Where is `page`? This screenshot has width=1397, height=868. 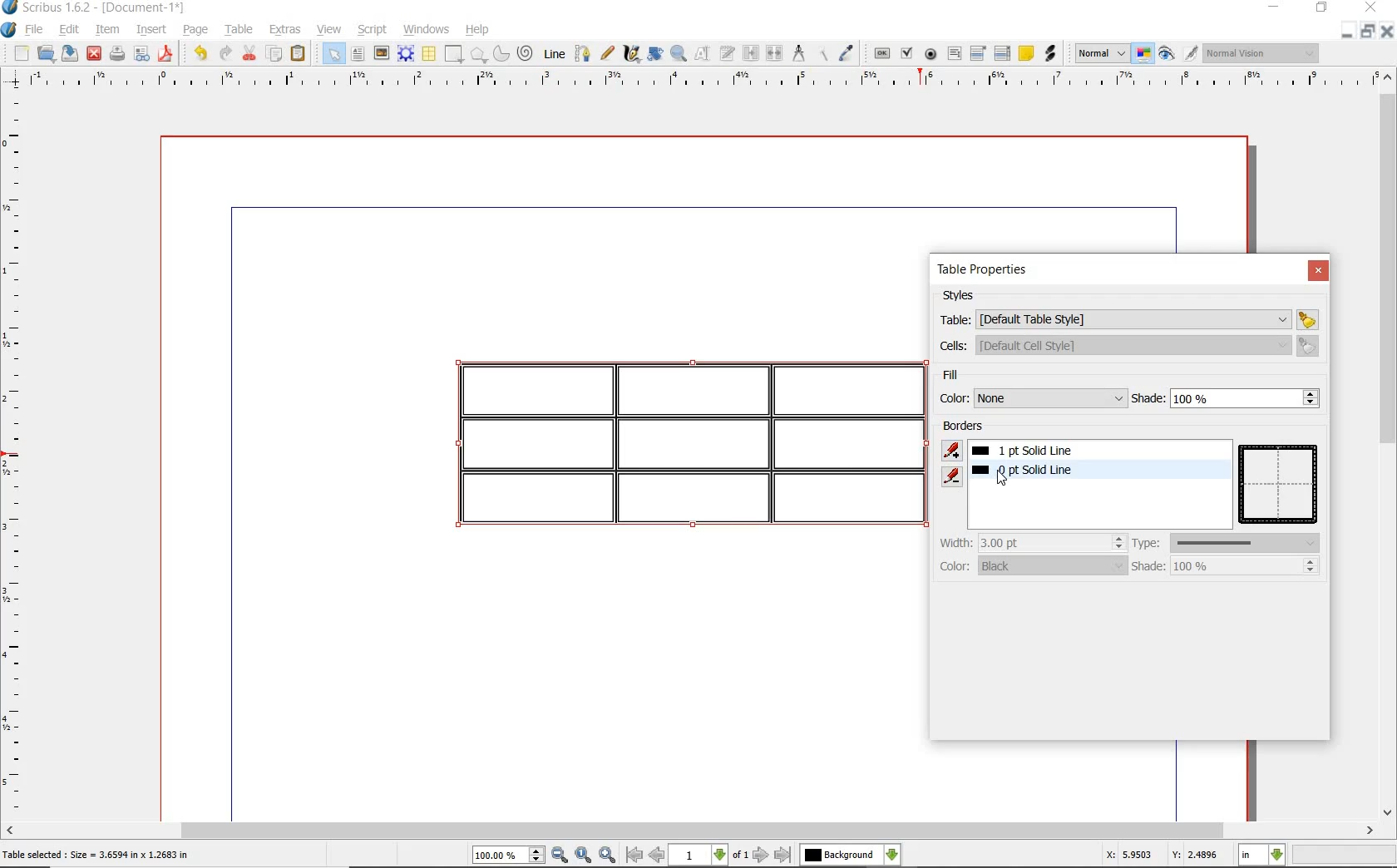 page is located at coordinates (196, 31).